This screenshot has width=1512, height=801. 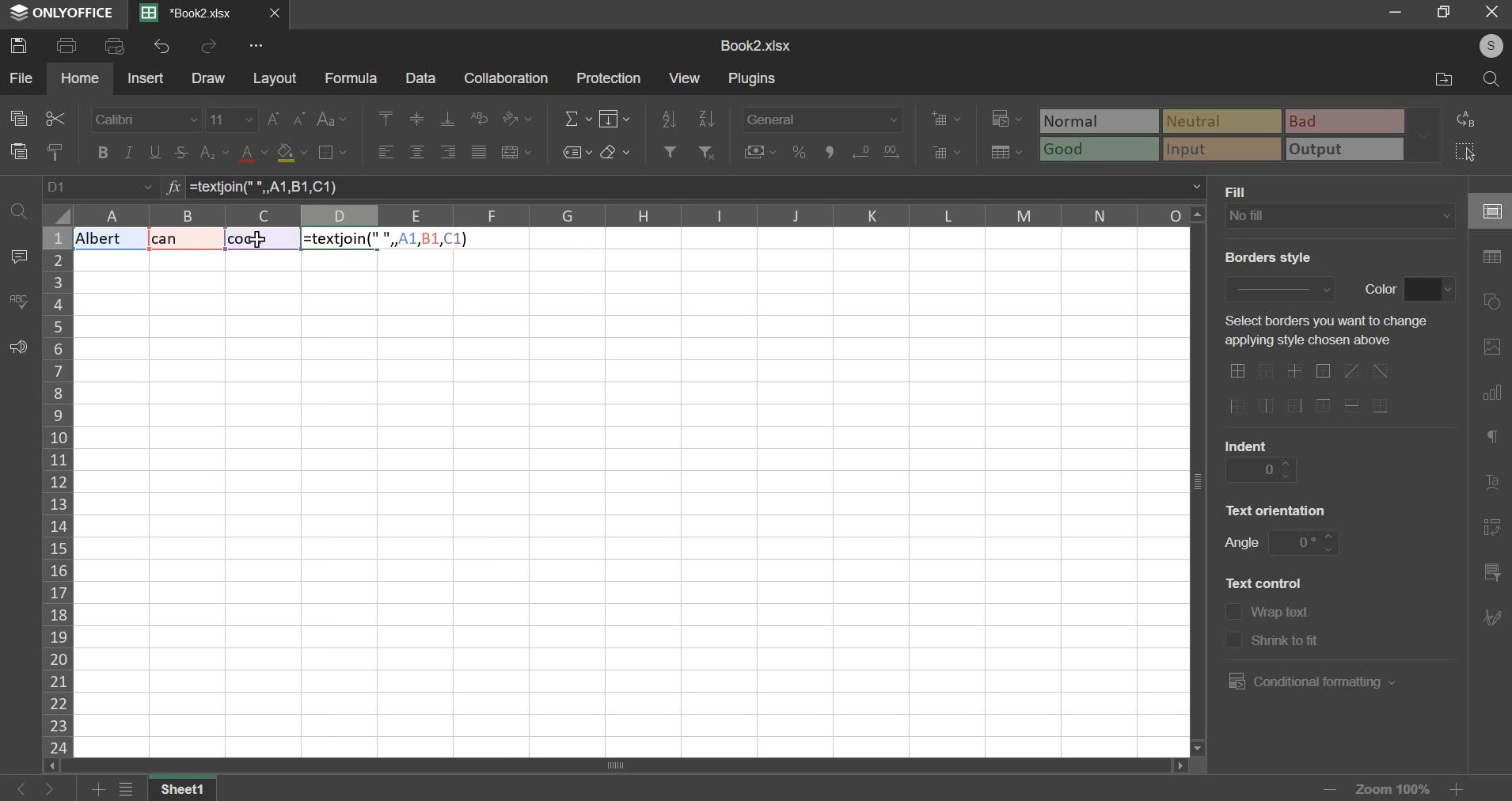 I want to click on formula, so click(x=351, y=79).